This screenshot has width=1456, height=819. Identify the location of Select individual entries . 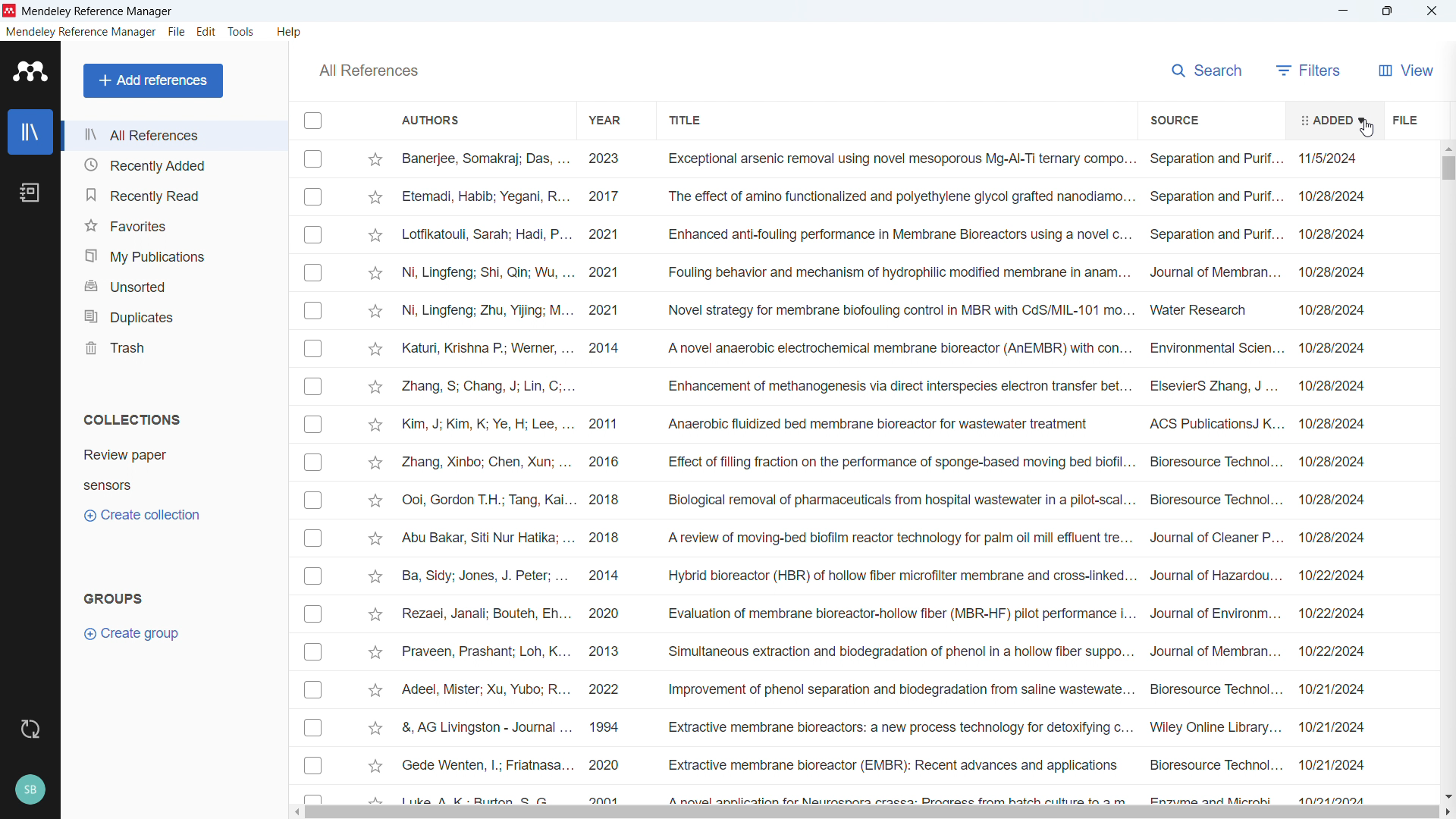
(313, 475).